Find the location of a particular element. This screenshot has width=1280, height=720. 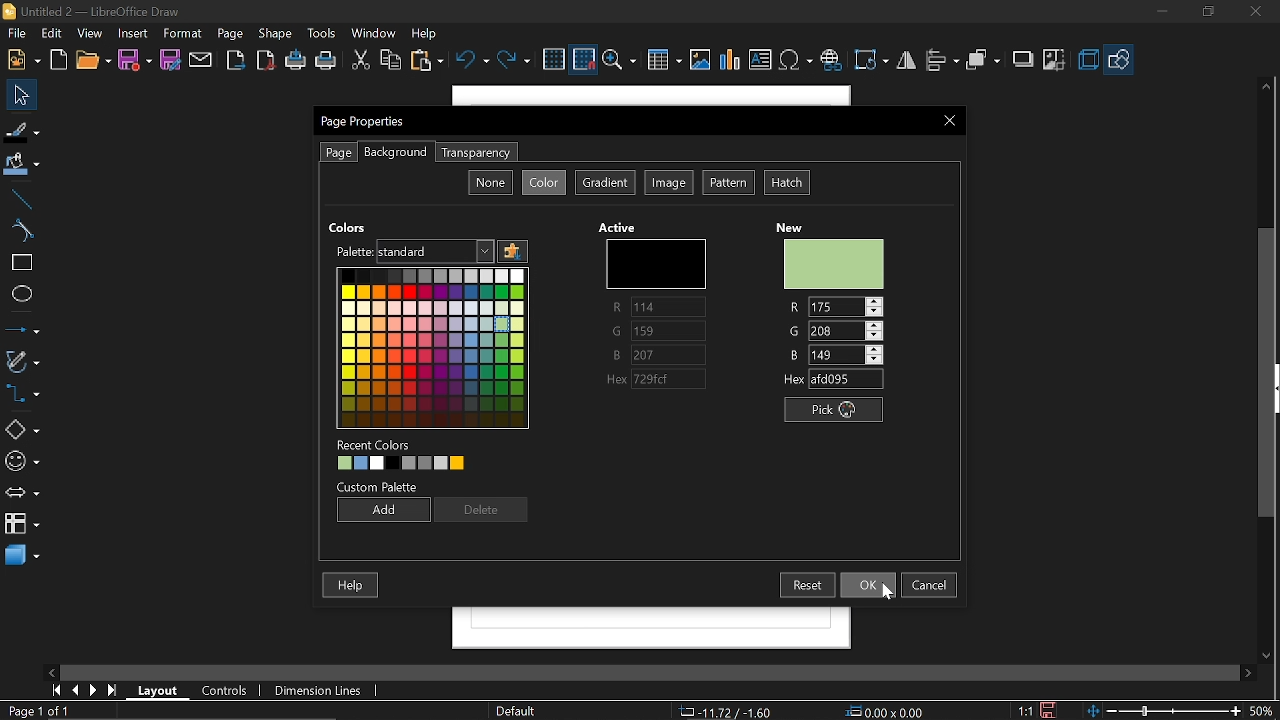

Layout is located at coordinates (158, 689).